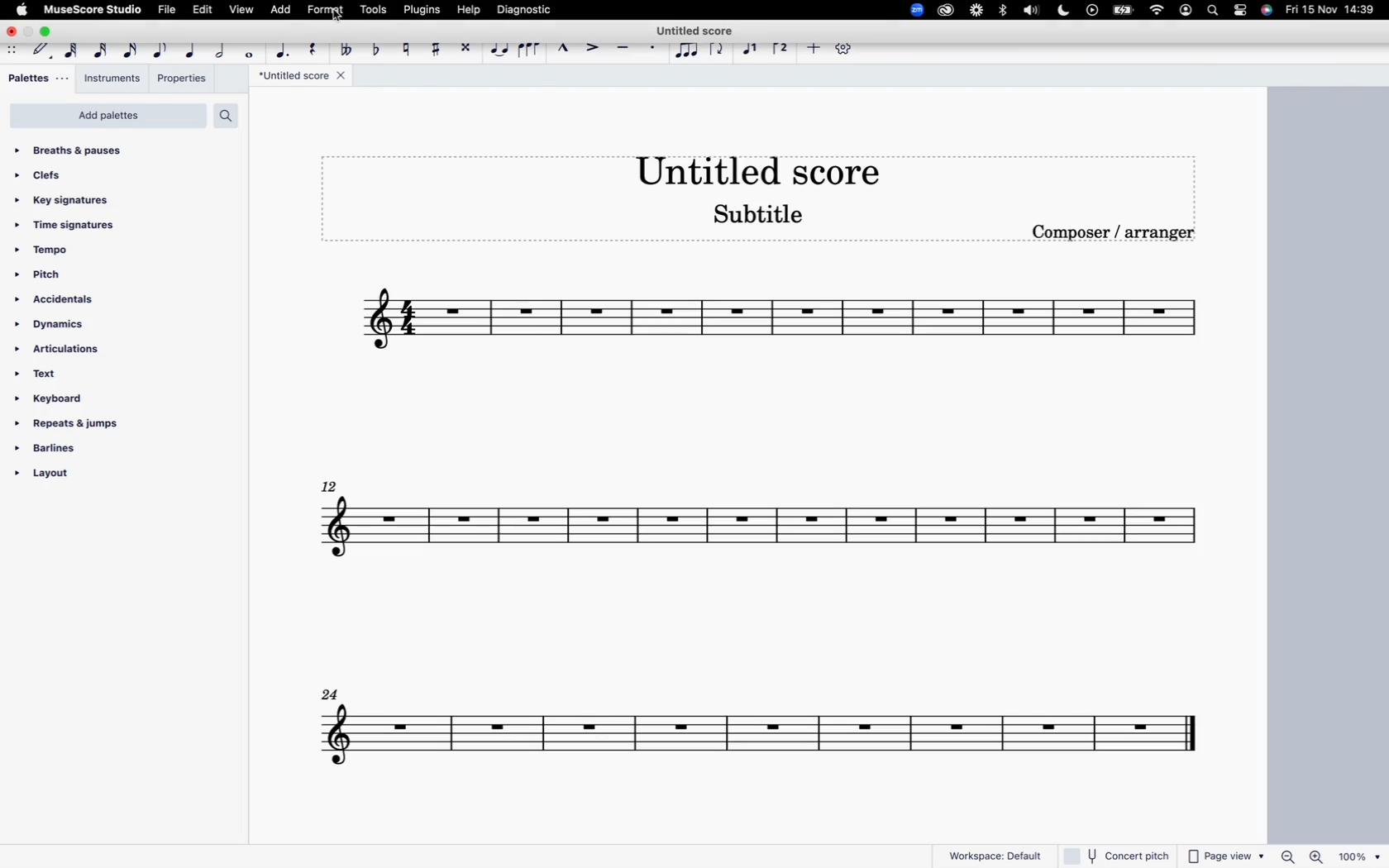 Image resolution: width=1389 pixels, height=868 pixels. What do you see at coordinates (45, 374) in the screenshot?
I see `text` at bounding box center [45, 374].